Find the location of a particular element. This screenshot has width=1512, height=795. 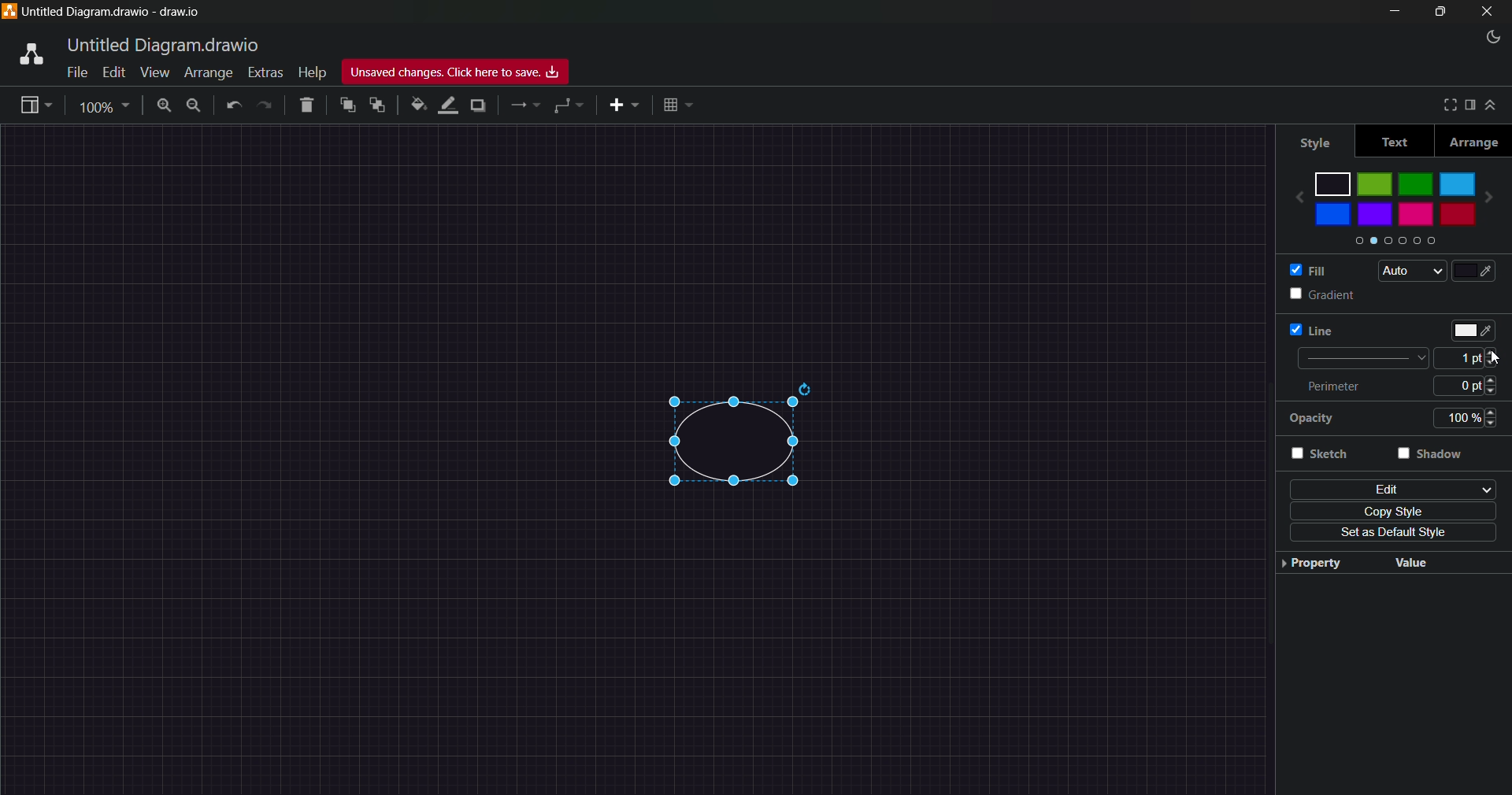

zoom out is located at coordinates (193, 108).